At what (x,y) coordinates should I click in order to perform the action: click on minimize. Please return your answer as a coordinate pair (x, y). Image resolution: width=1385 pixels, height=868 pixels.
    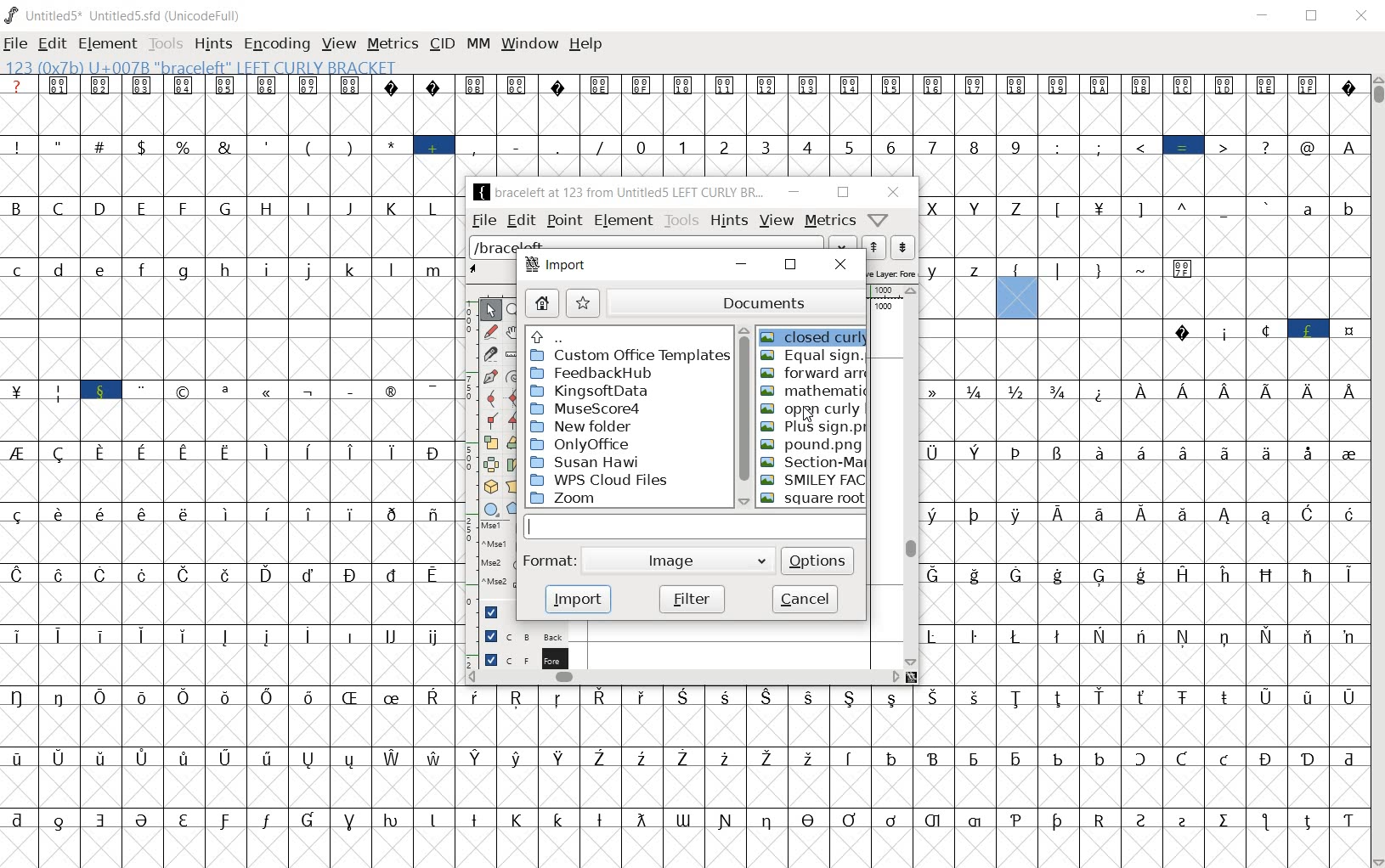
    Looking at the image, I should click on (1266, 16).